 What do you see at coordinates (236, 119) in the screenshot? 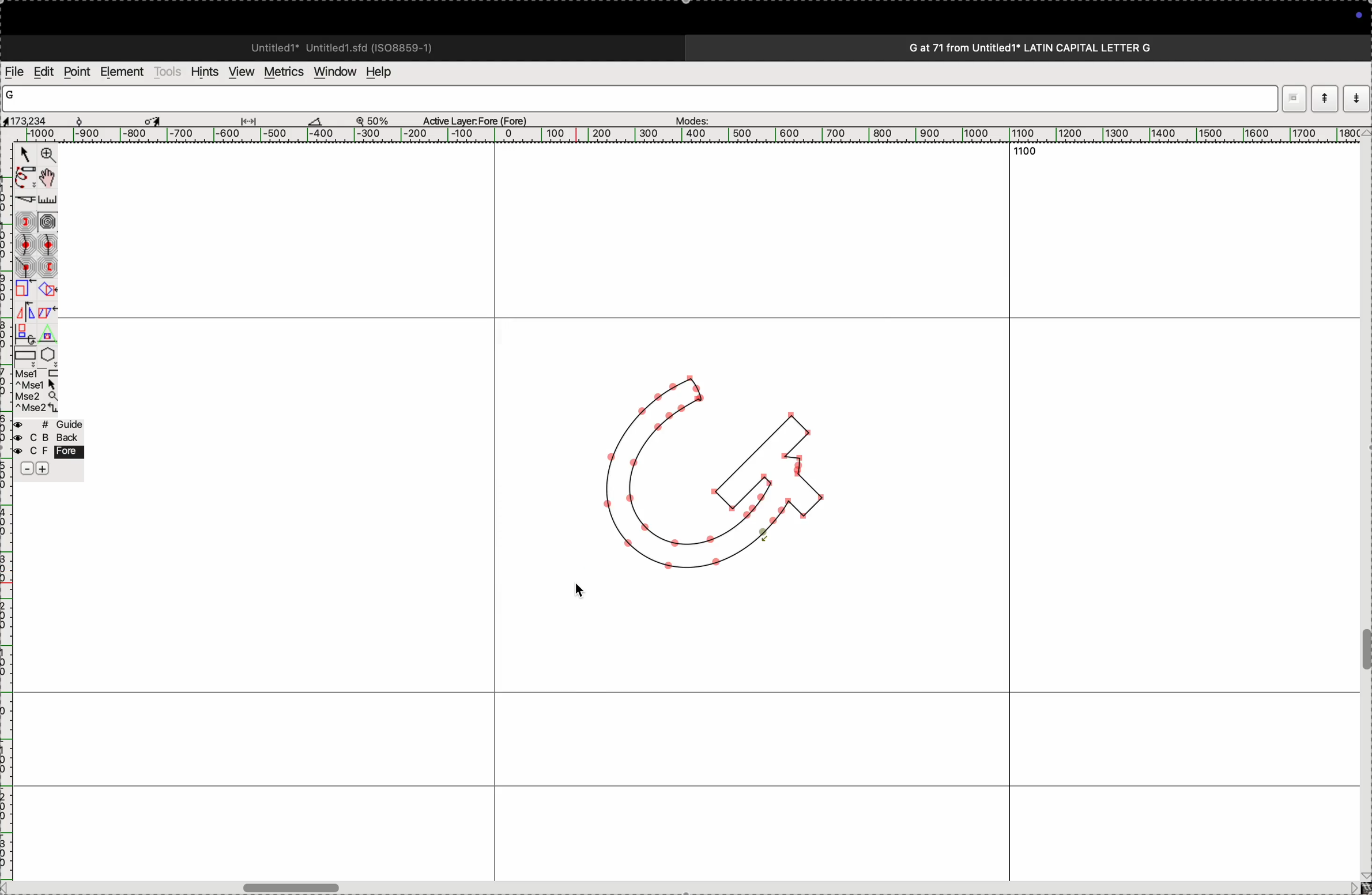
I see `measurements` at bounding box center [236, 119].